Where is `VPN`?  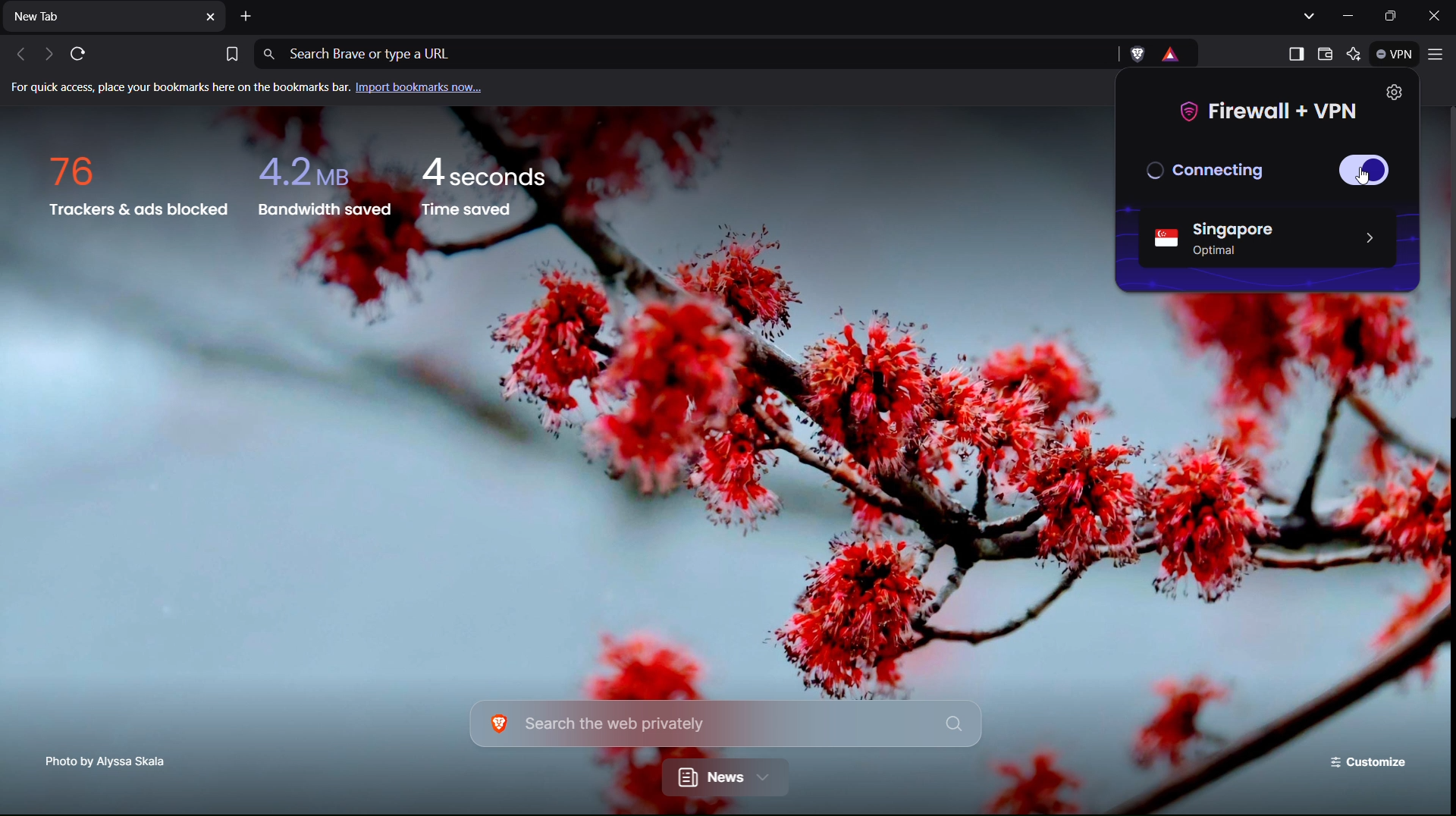 VPN is located at coordinates (1390, 57).